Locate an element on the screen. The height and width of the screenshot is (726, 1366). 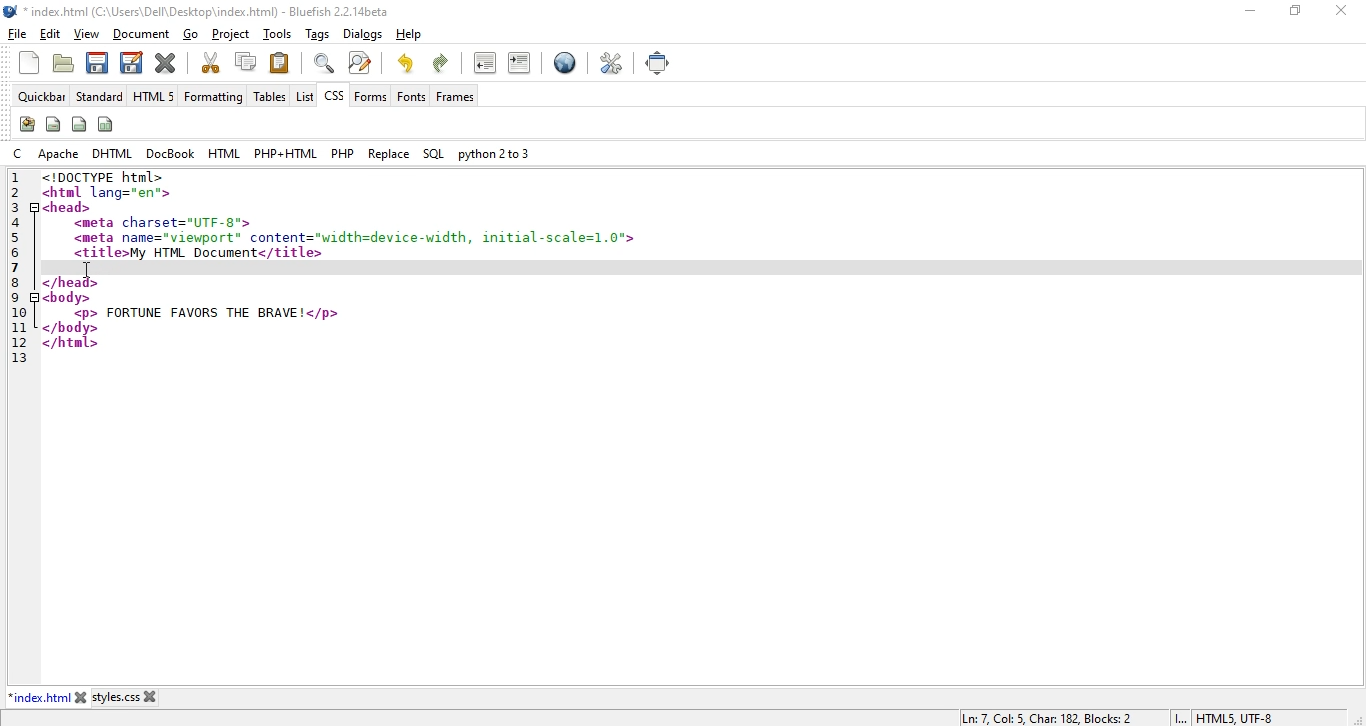
edit preferences is located at coordinates (613, 62).